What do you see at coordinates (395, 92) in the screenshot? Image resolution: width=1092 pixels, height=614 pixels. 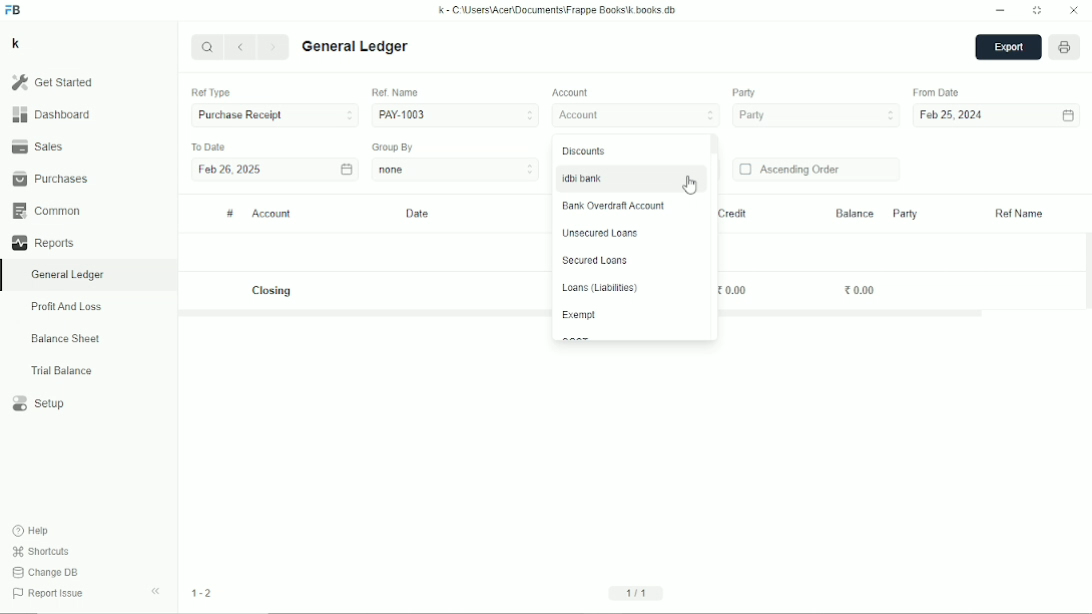 I see `Ref. Name` at bounding box center [395, 92].